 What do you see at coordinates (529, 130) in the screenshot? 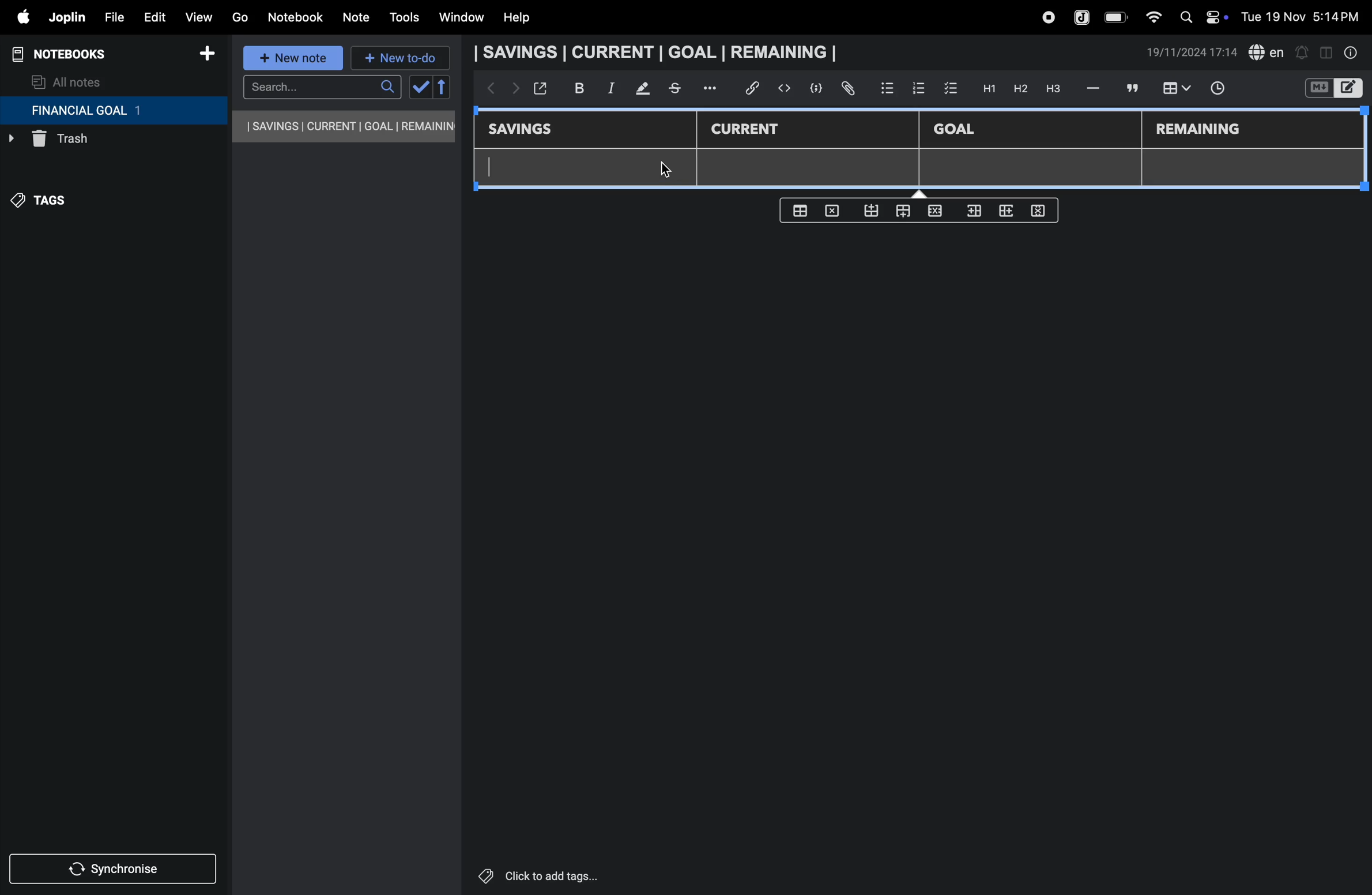
I see `savings` at bounding box center [529, 130].